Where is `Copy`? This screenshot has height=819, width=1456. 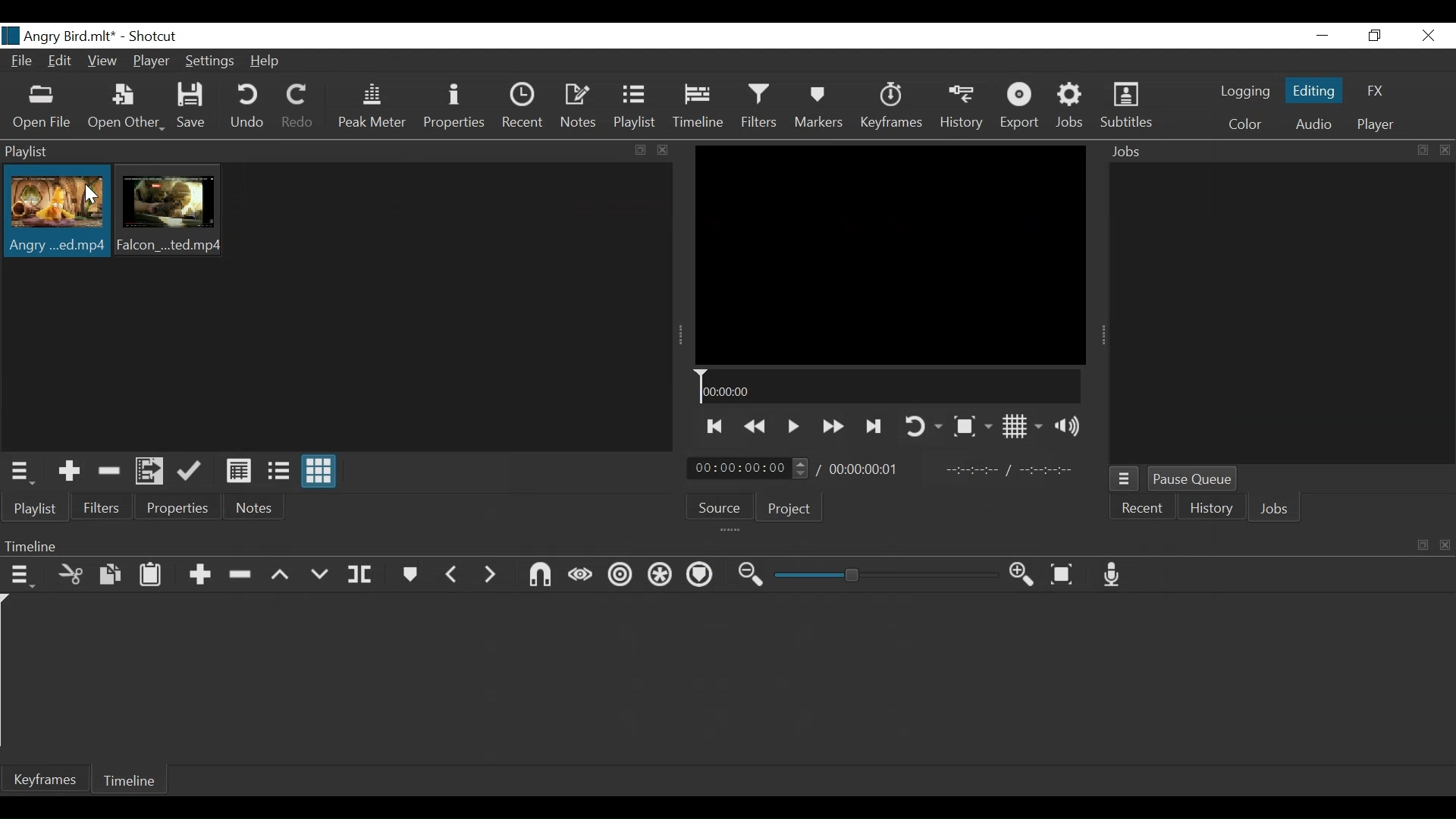 Copy is located at coordinates (113, 576).